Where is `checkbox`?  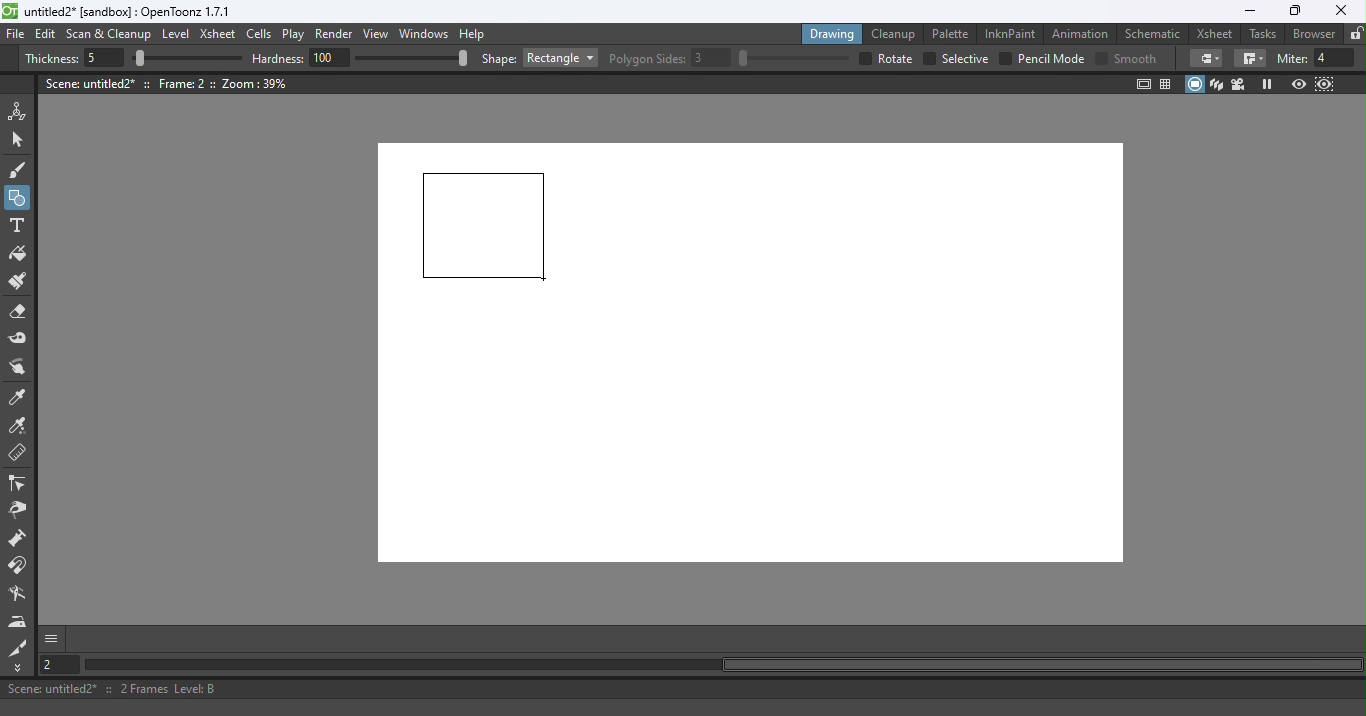
checkbox is located at coordinates (863, 58).